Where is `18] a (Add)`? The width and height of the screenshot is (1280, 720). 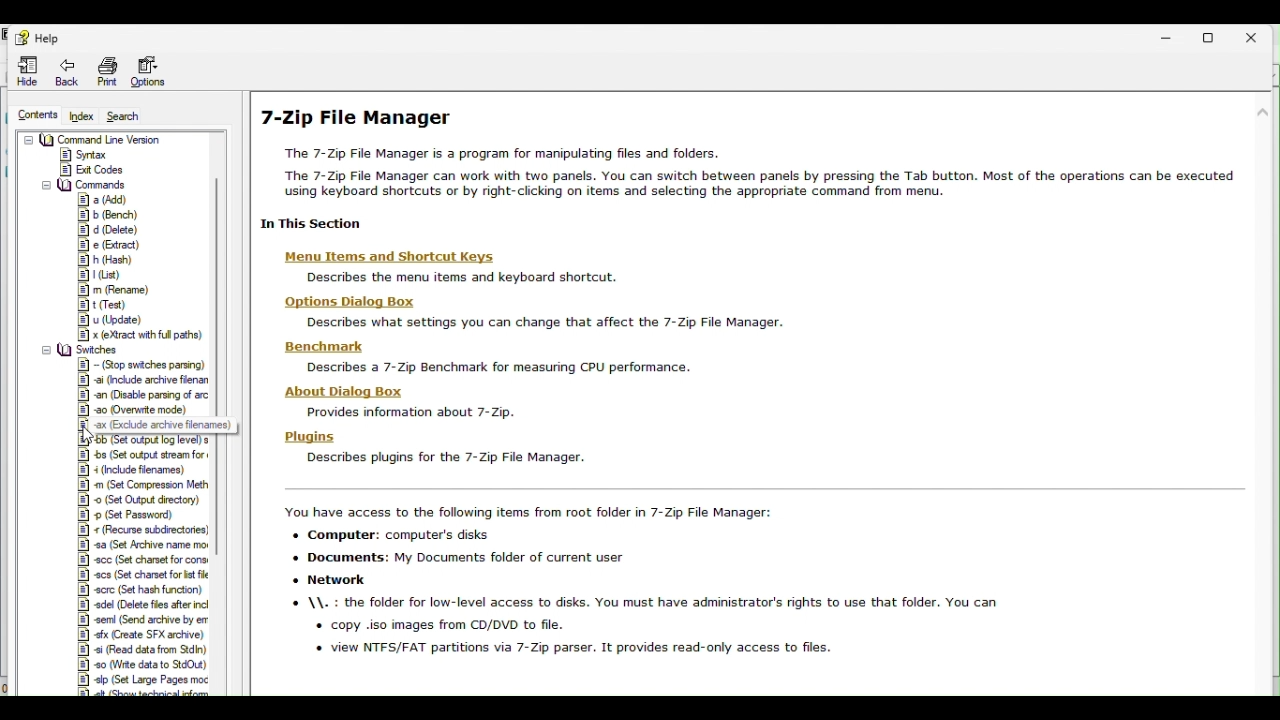 18] a (Add) is located at coordinates (105, 199).